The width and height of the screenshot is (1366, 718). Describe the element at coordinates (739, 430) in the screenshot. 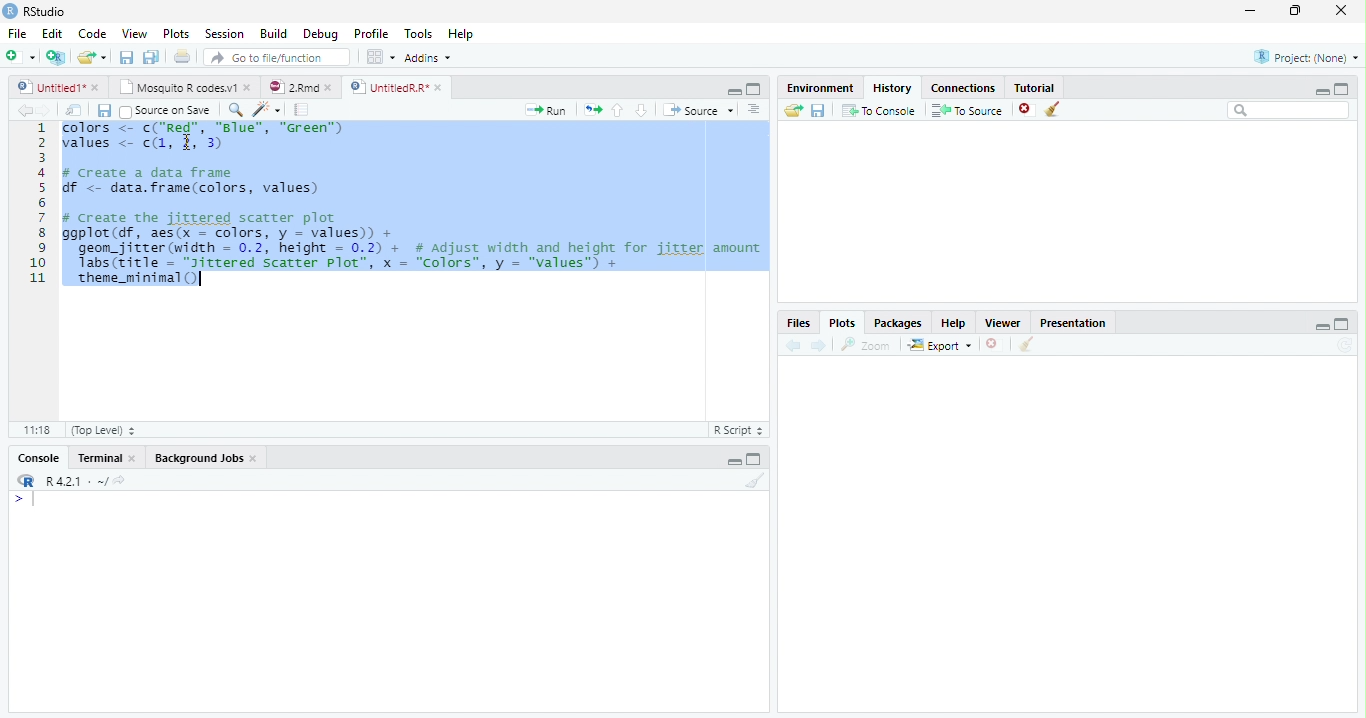

I see `R Script` at that location.